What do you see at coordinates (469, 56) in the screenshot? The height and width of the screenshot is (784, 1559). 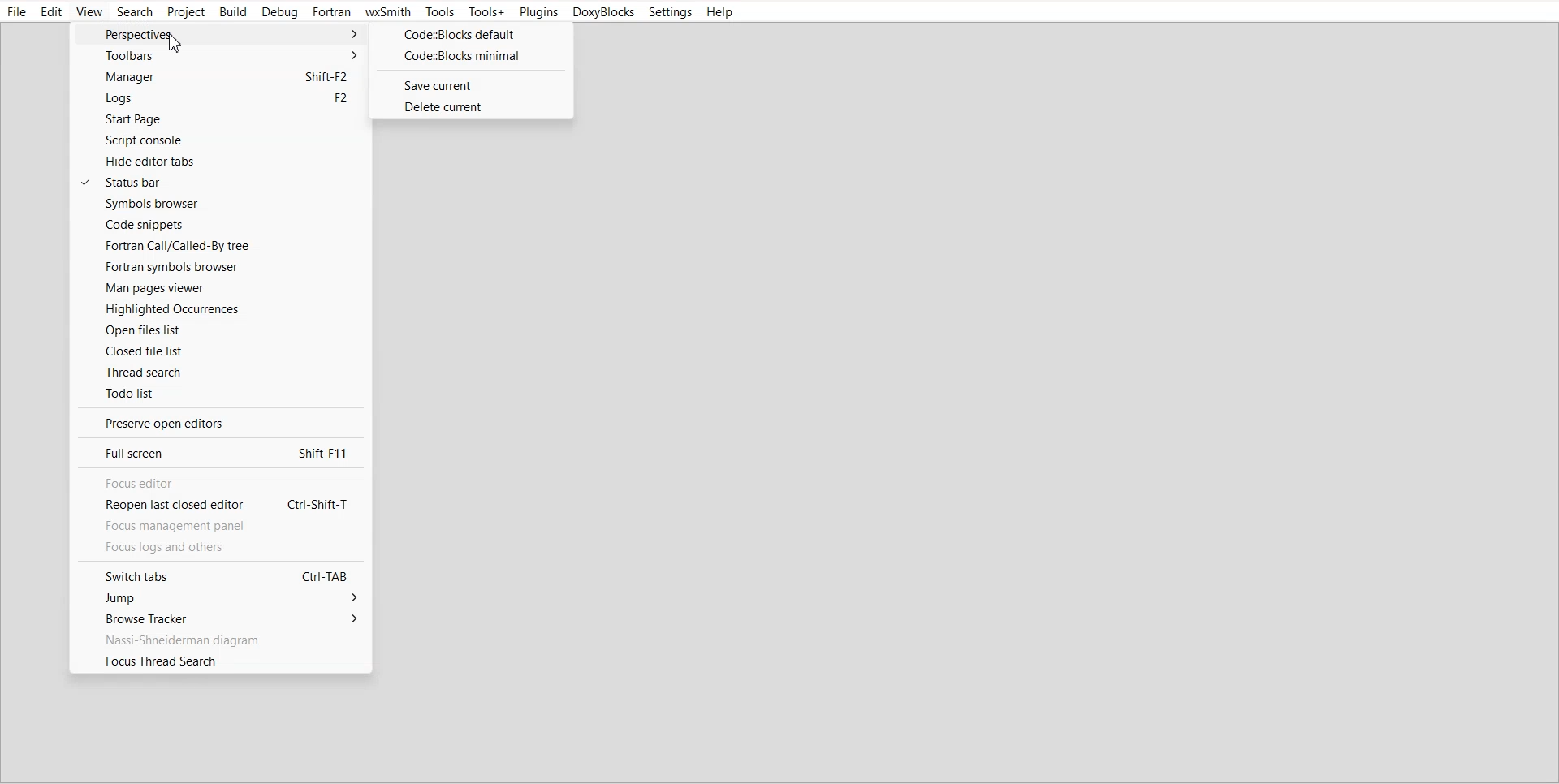 I see `CODE::BLOCK minimal` at bounding box center [469, 56].